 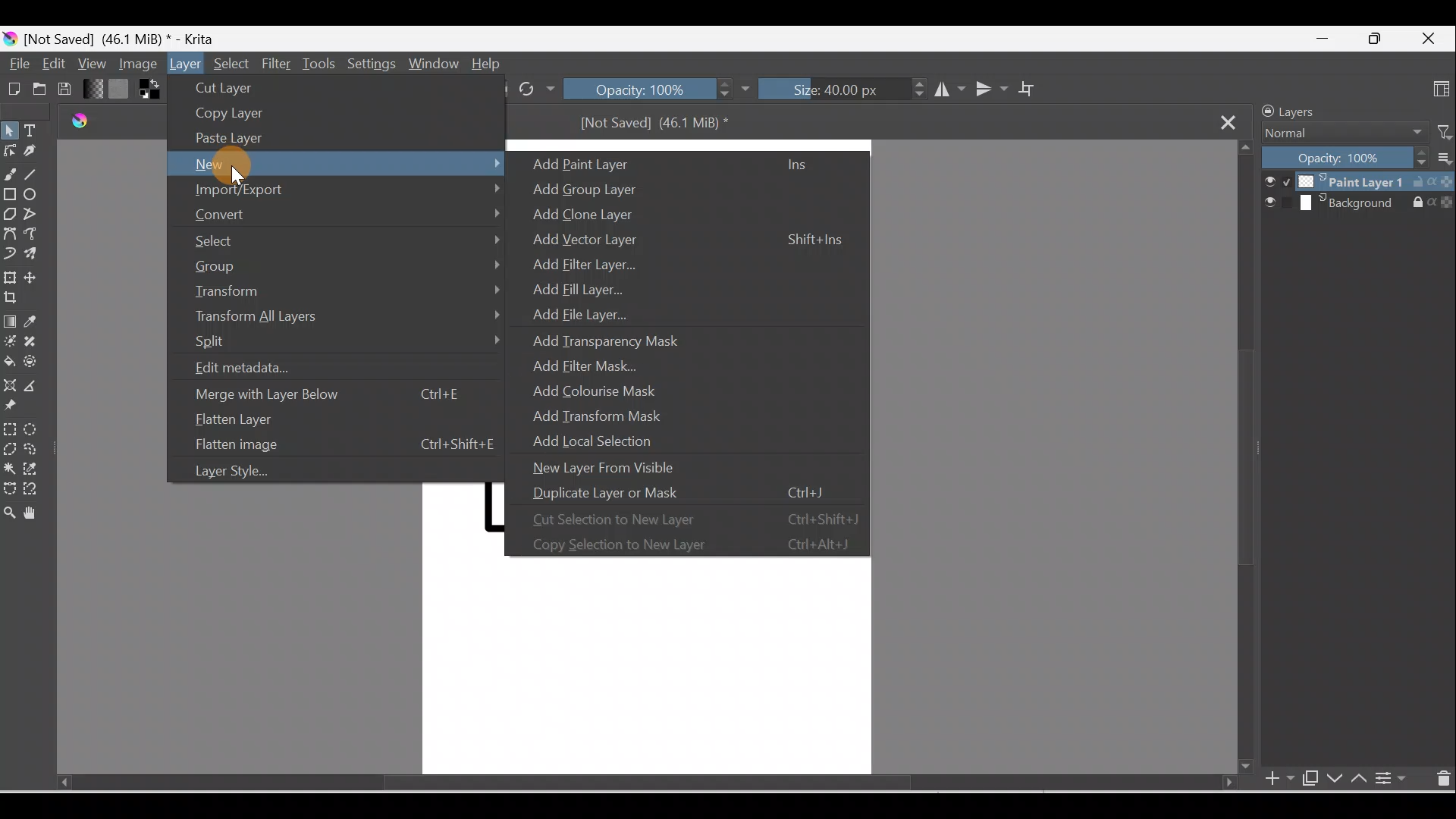 What do you see at coordinates (1357, 181) in the screenshot?
I see `Paint Layer 1` at bounding box center [1357, 181].